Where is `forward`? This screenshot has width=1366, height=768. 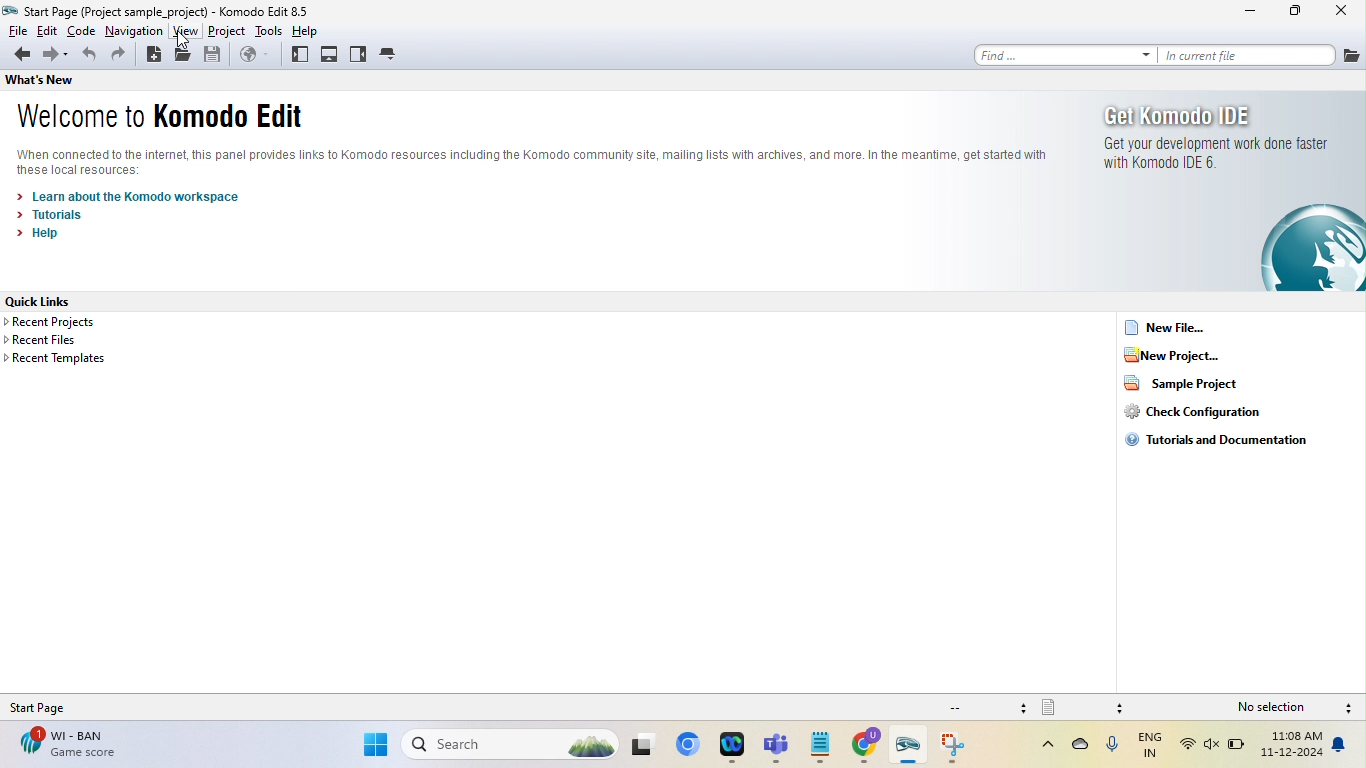
forward is located at coordinates (57, 55).